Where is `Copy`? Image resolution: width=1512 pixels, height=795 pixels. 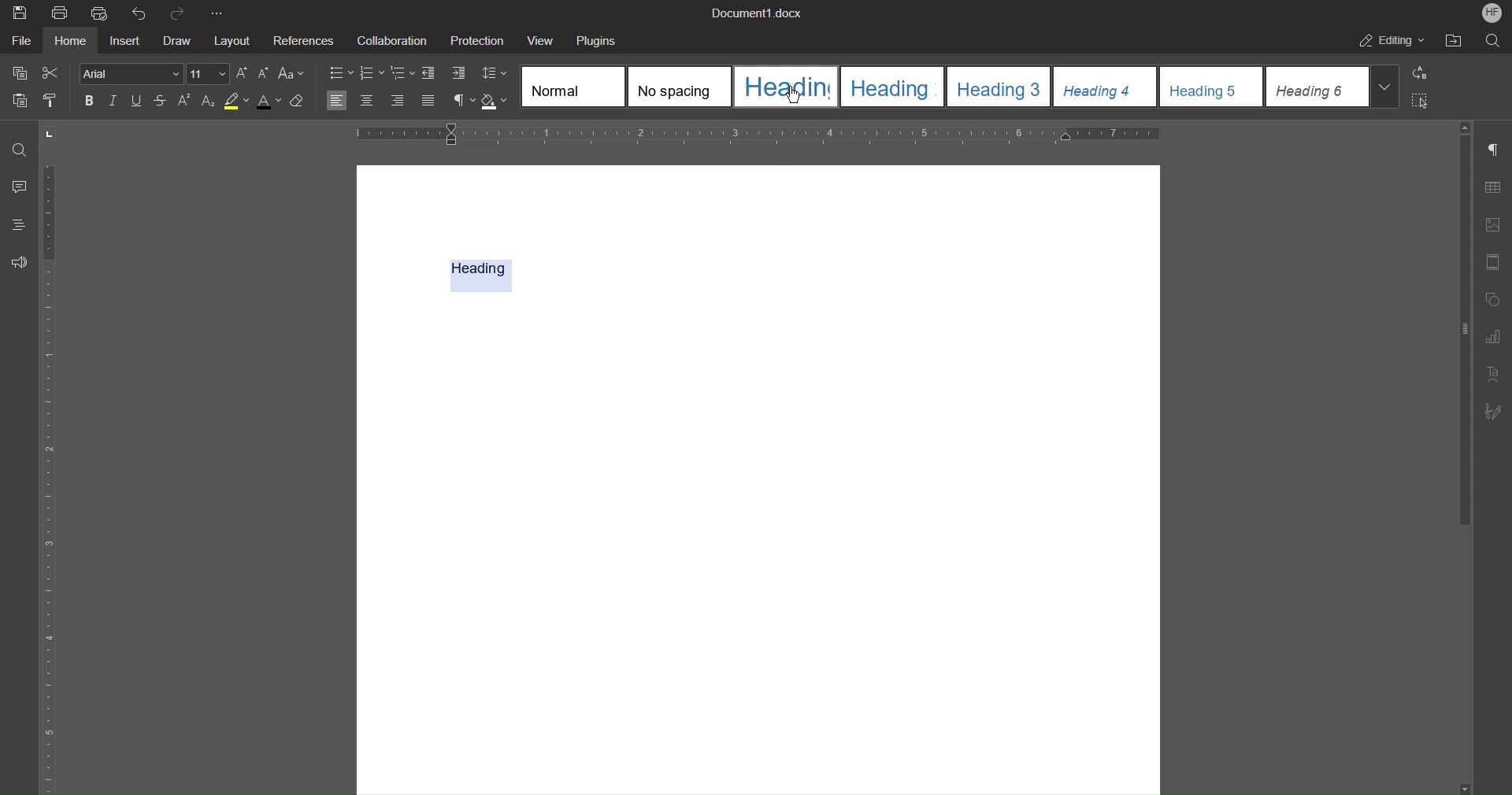
Copy is located at coordinates (18, 71).